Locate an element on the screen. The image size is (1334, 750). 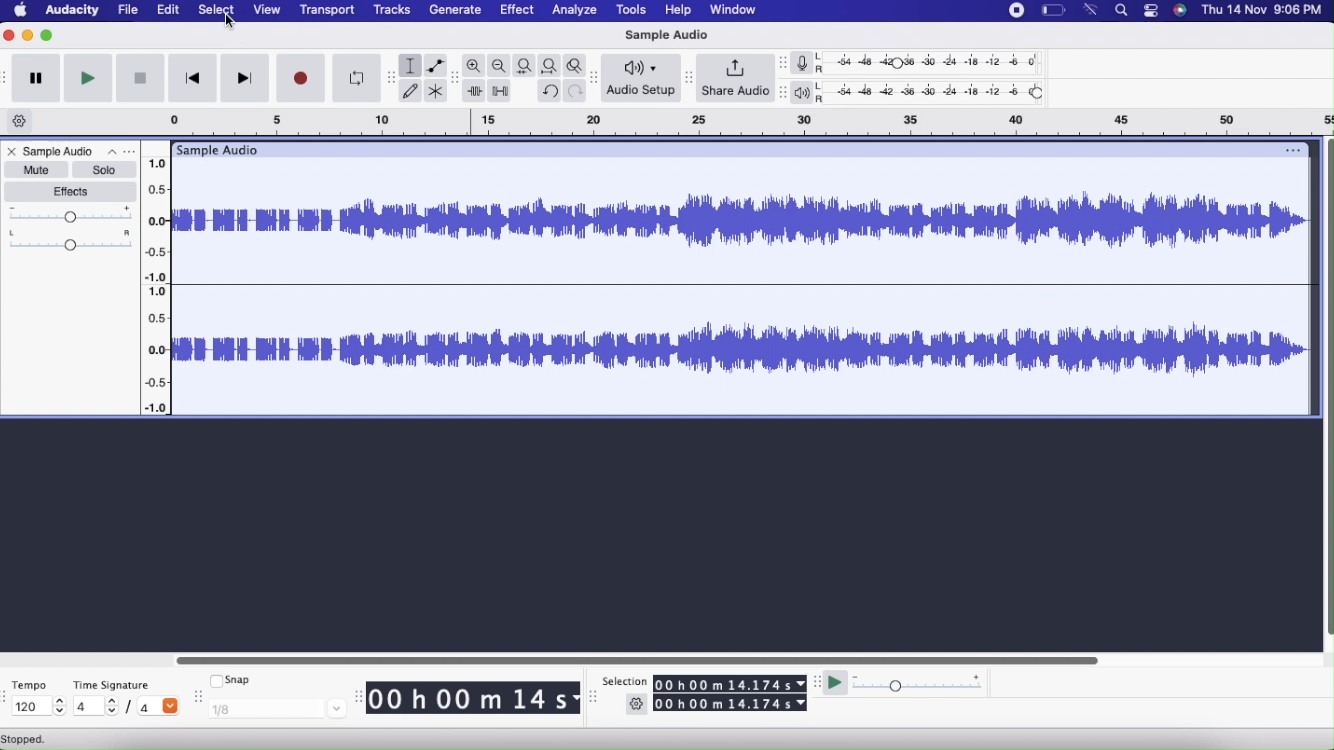
File is located at coordinates (128, 9).